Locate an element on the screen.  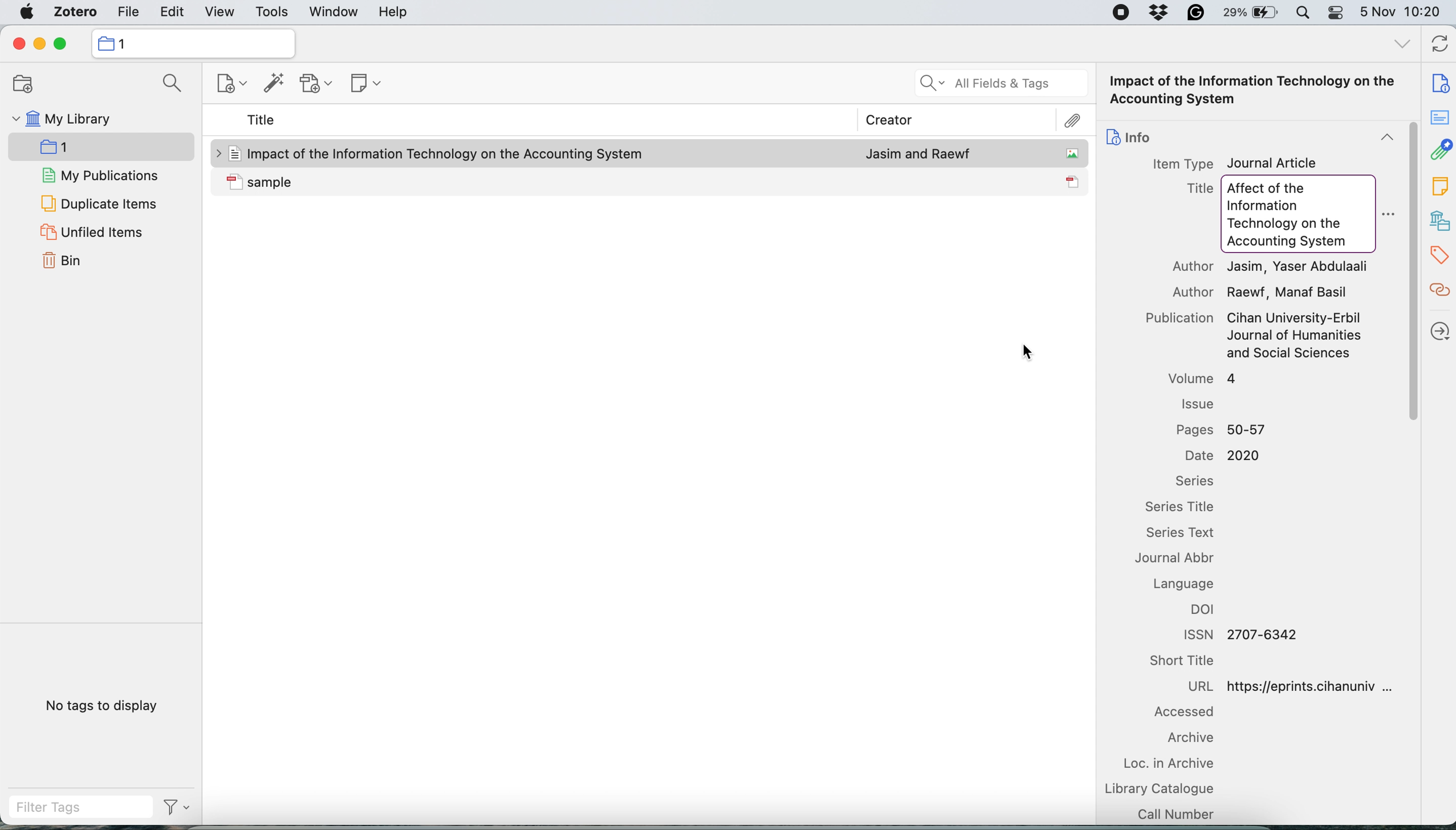
accessed is located at coordinates (1191, 711).